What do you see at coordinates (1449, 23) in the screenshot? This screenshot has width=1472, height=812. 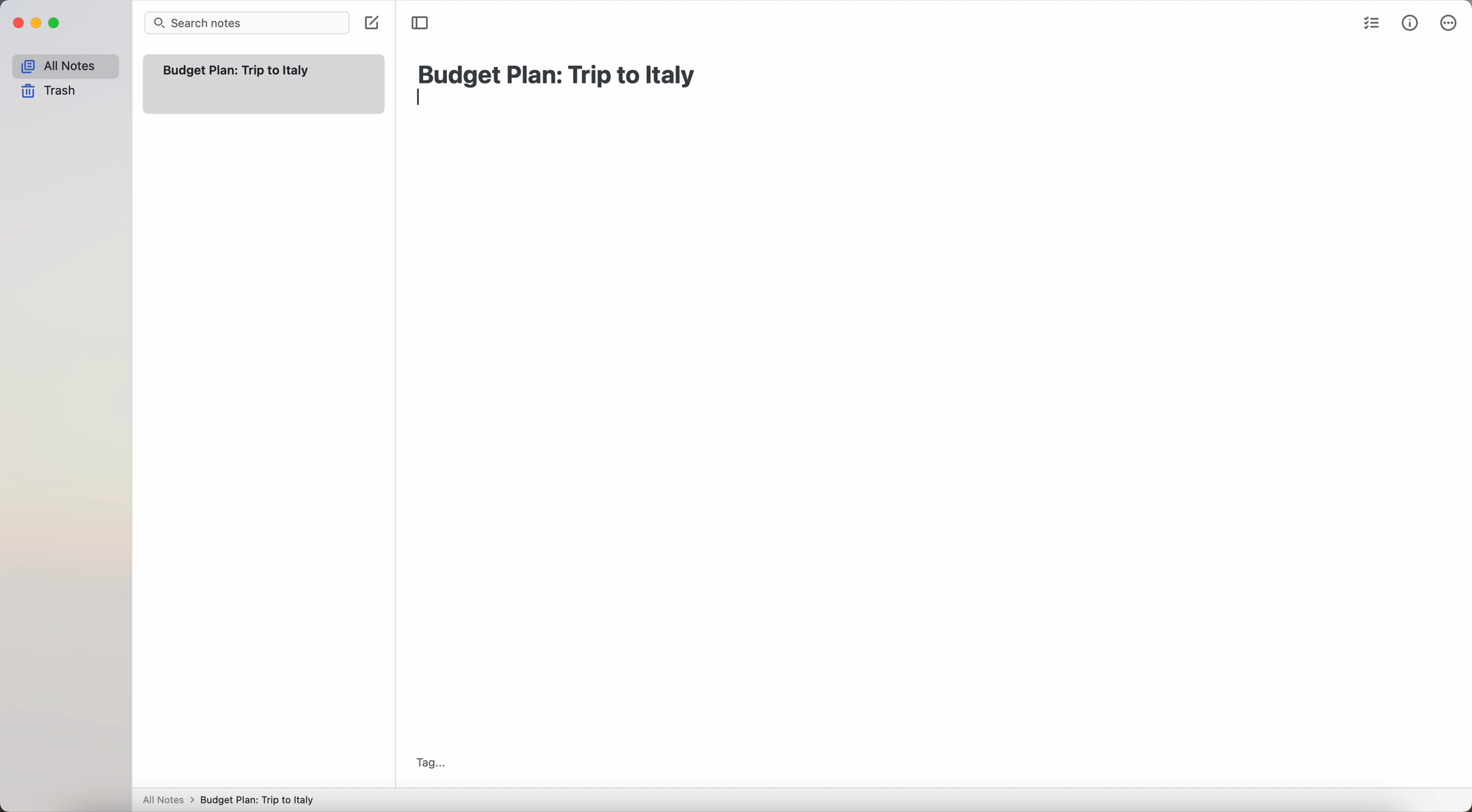 I see `more options` at bounding box center [1449, 23].